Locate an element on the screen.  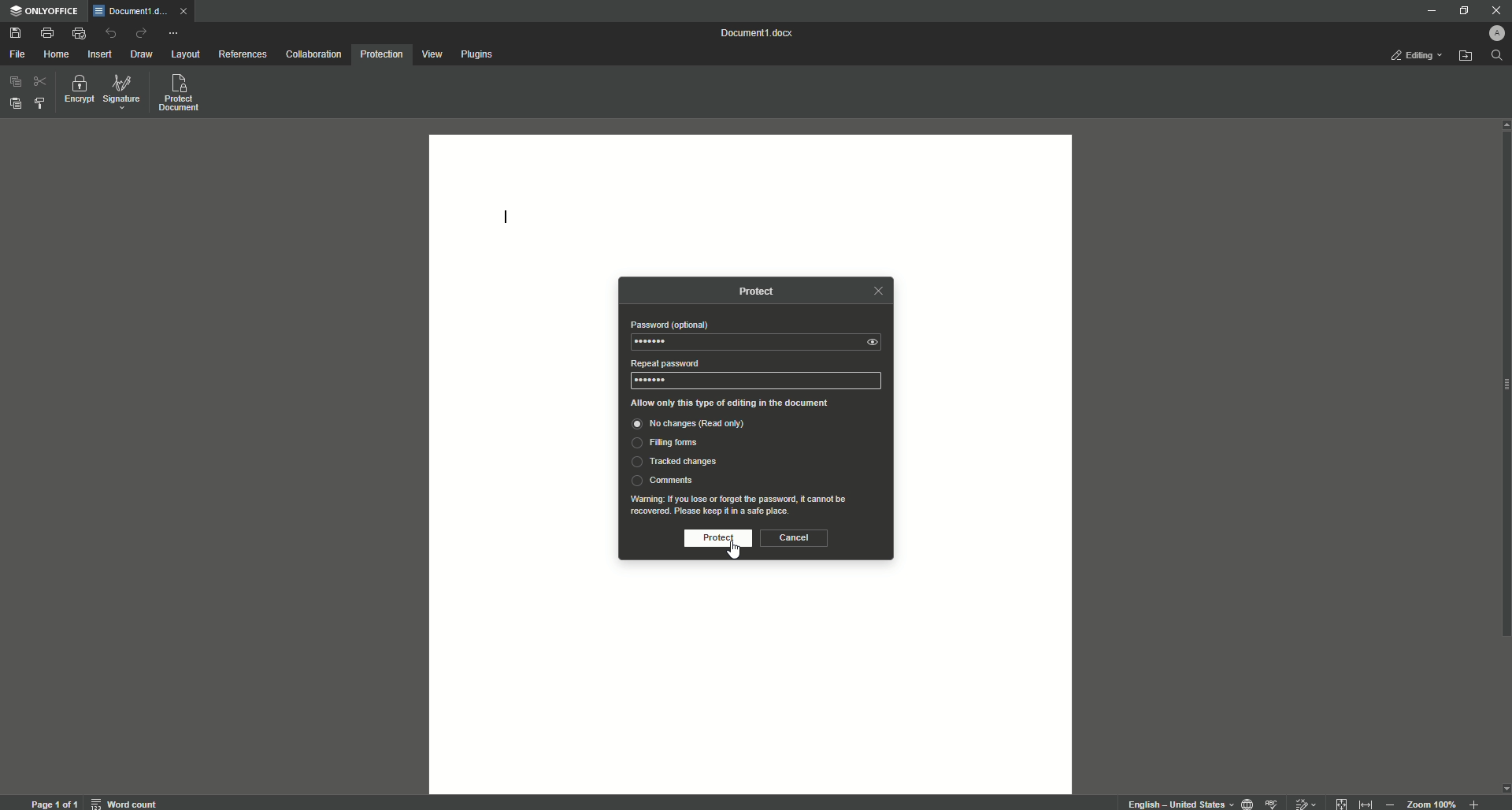
seen is located at coordinates (876, 342).